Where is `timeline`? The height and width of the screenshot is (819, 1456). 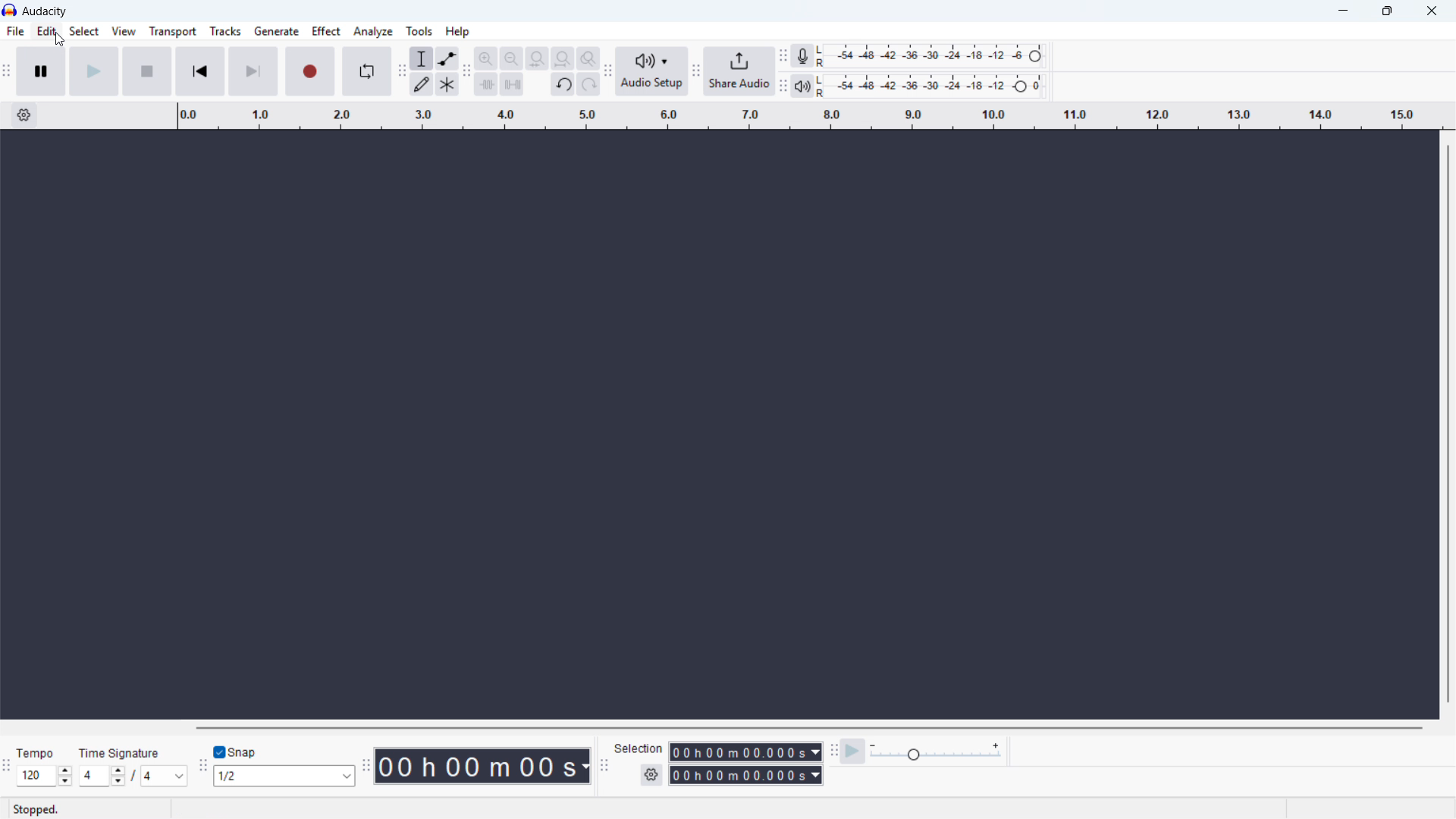 timeline is located at coordinates (808, 116).